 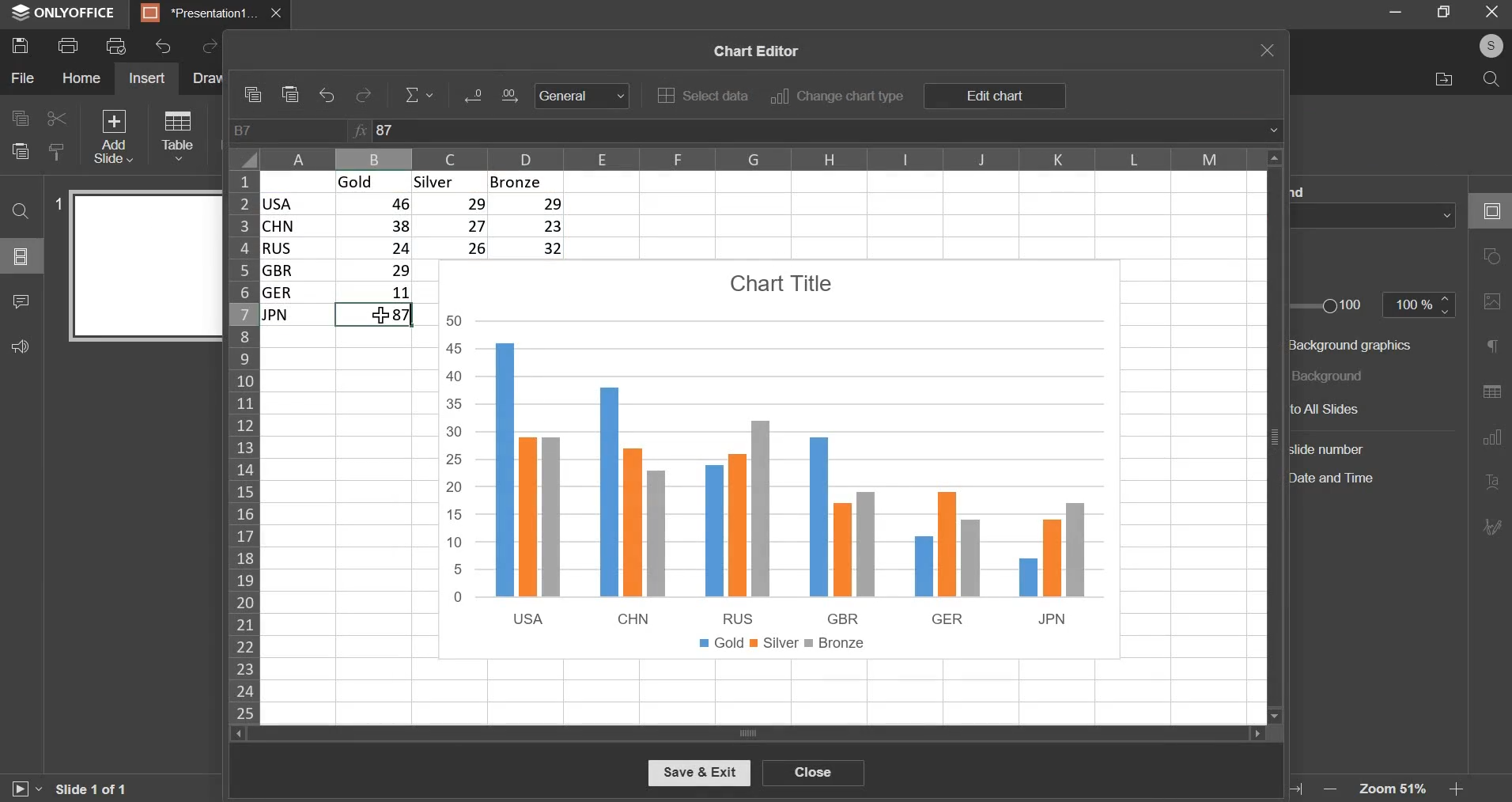 What do you see at coordinates (813, 772) in the screenshot?
I see `close` at bounding box center [813, 772].